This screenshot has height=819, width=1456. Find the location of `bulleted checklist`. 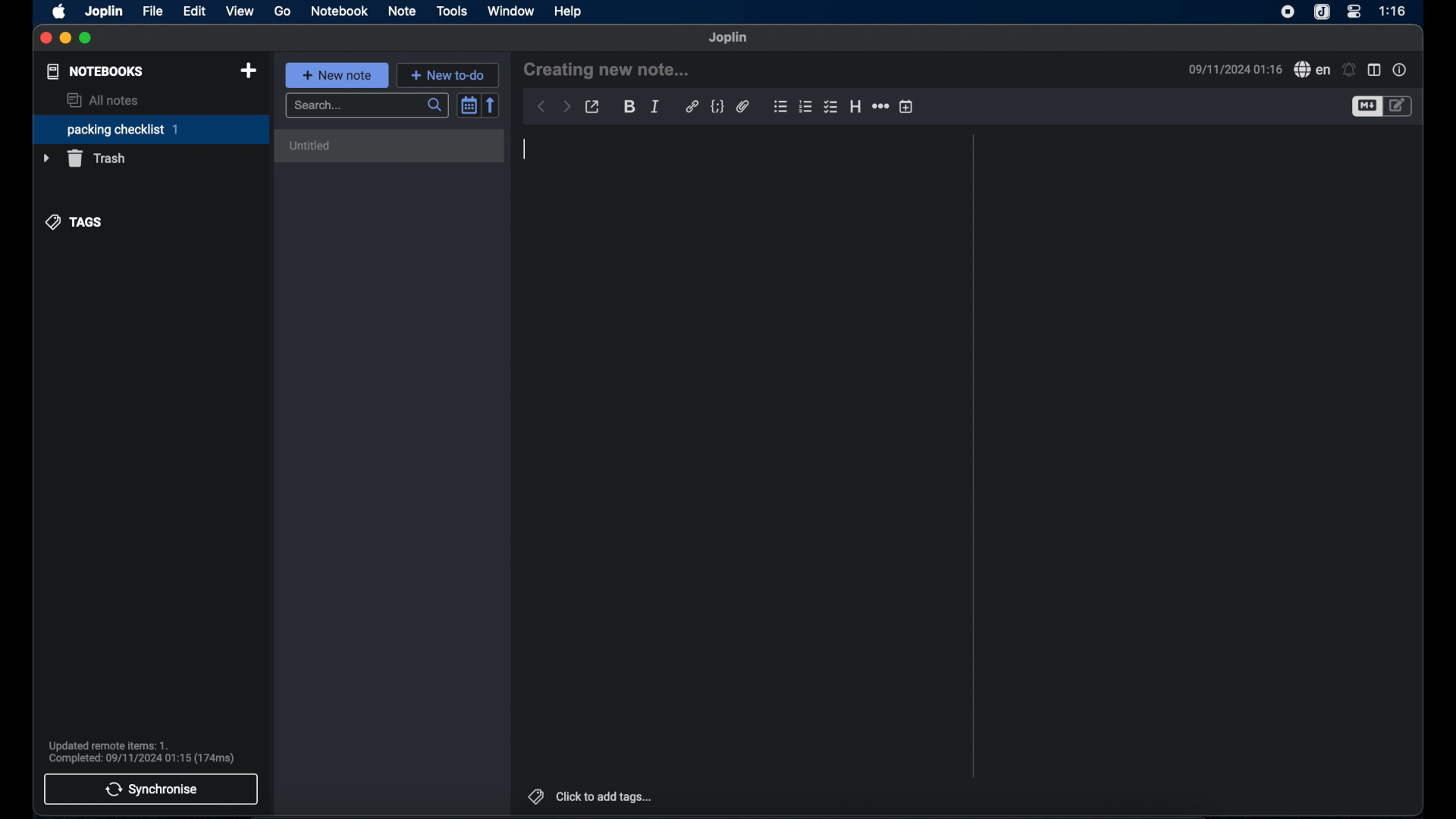

bulleted checklist is located at coordinates (830, 108).